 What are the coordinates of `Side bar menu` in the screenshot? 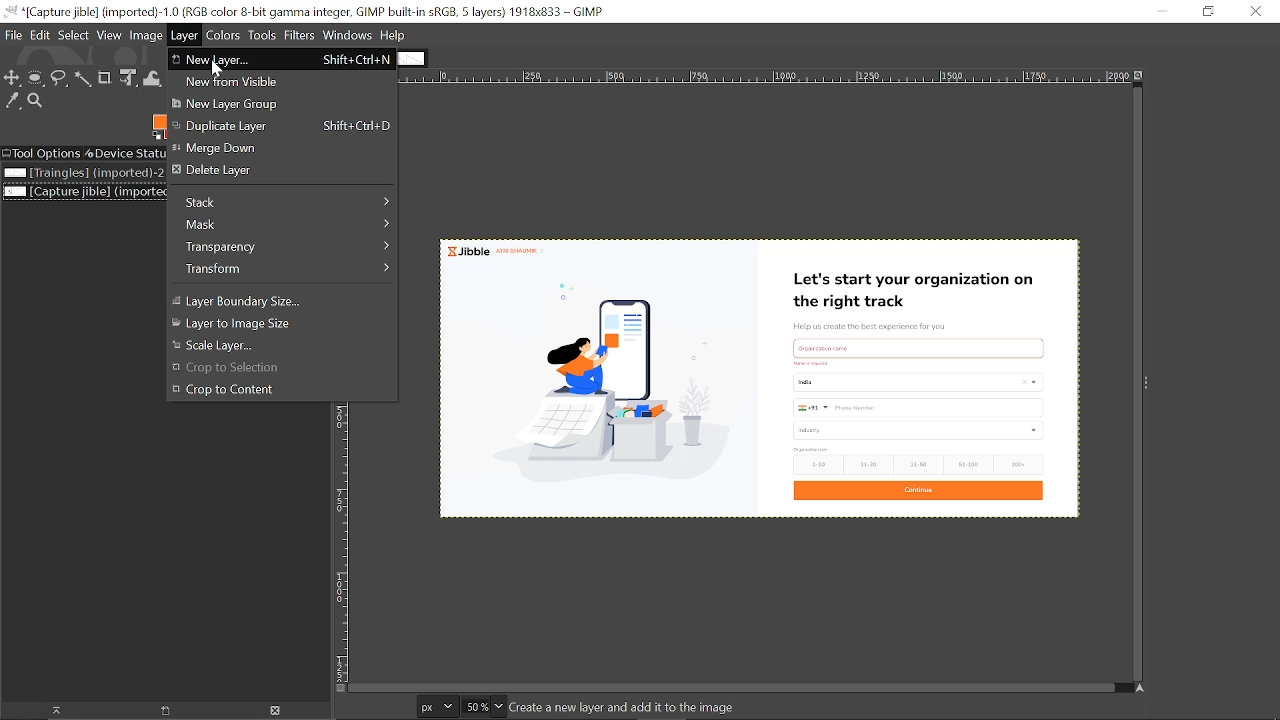 It's located at (1148, 383).